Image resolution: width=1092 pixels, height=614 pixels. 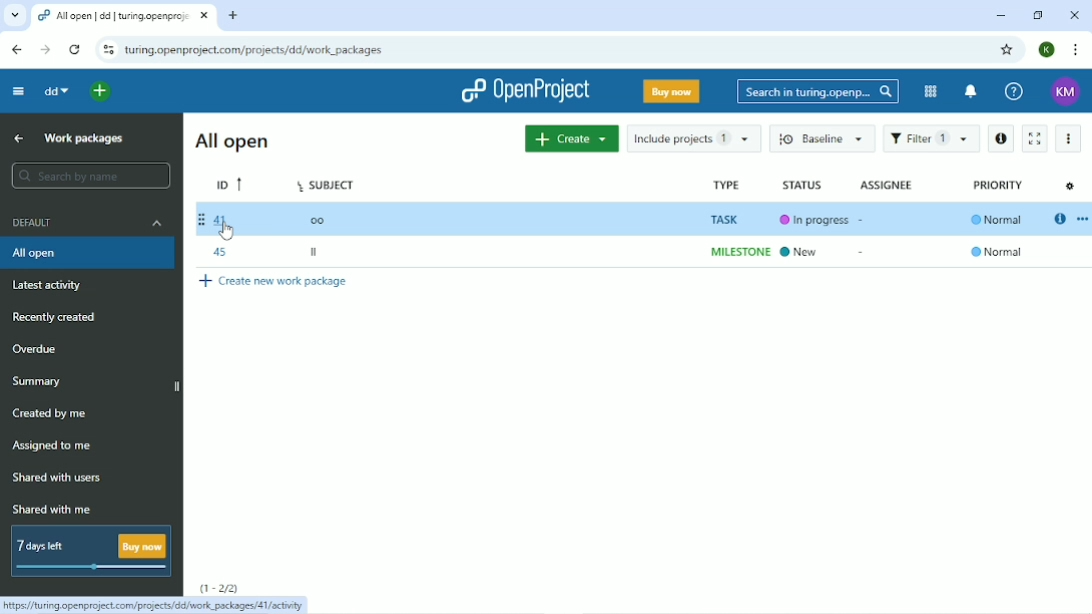 I want to click on Open quicka add menu, so click(x=160, y=93).